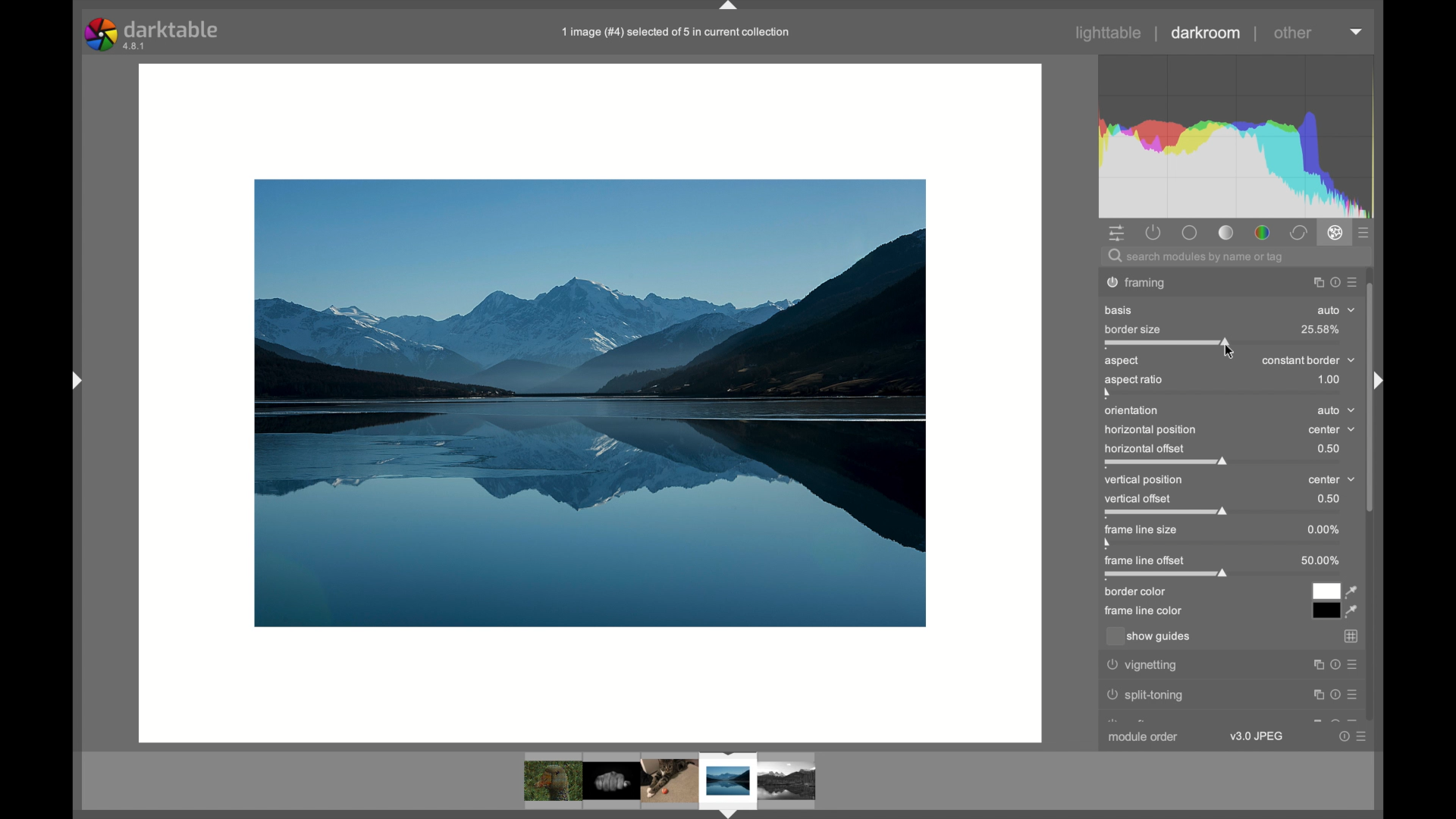 The image size is (1456, 819). Describe the element at coordinates (1300, 232) in the screenshot. I see `correct` at that location.